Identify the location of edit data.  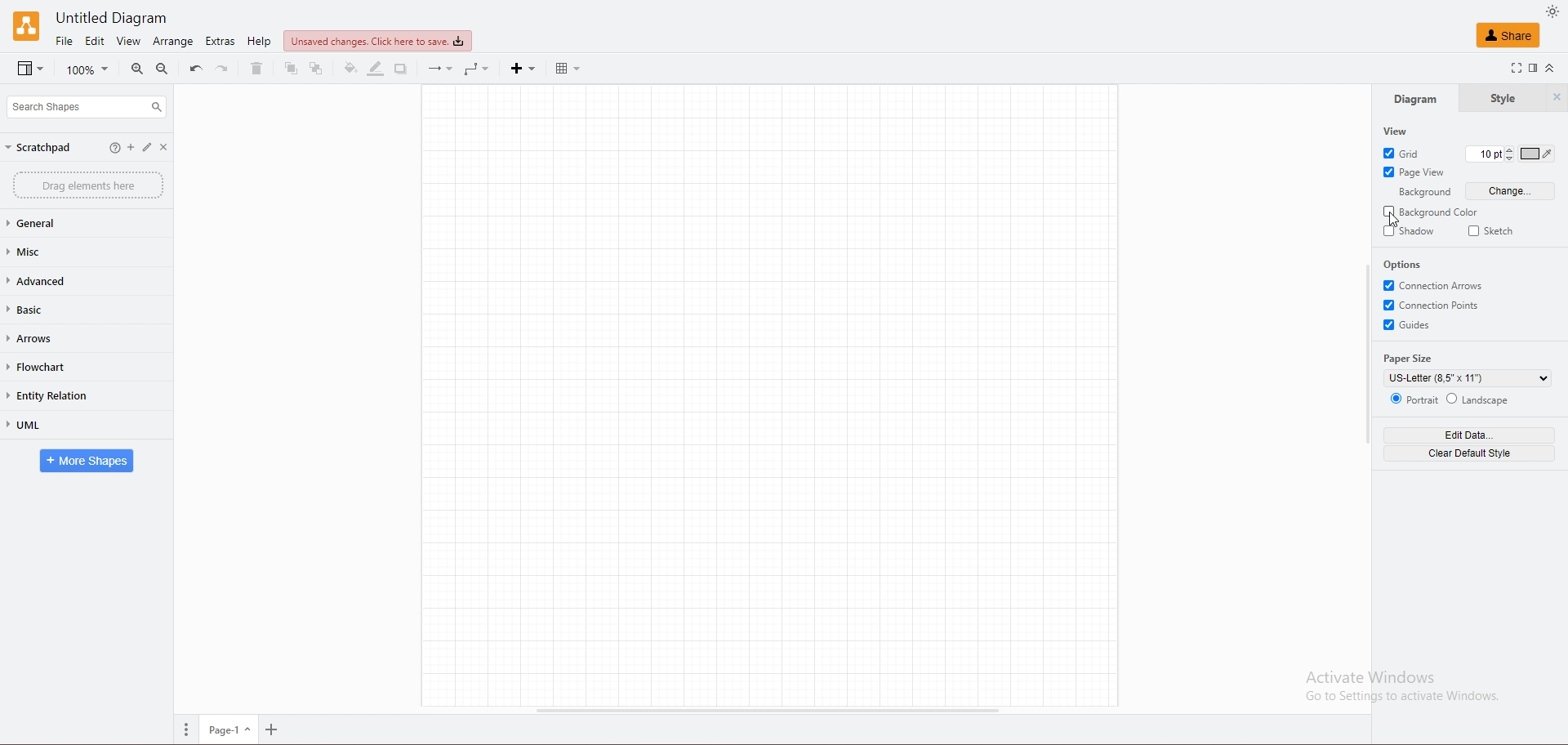
(1469, 435).